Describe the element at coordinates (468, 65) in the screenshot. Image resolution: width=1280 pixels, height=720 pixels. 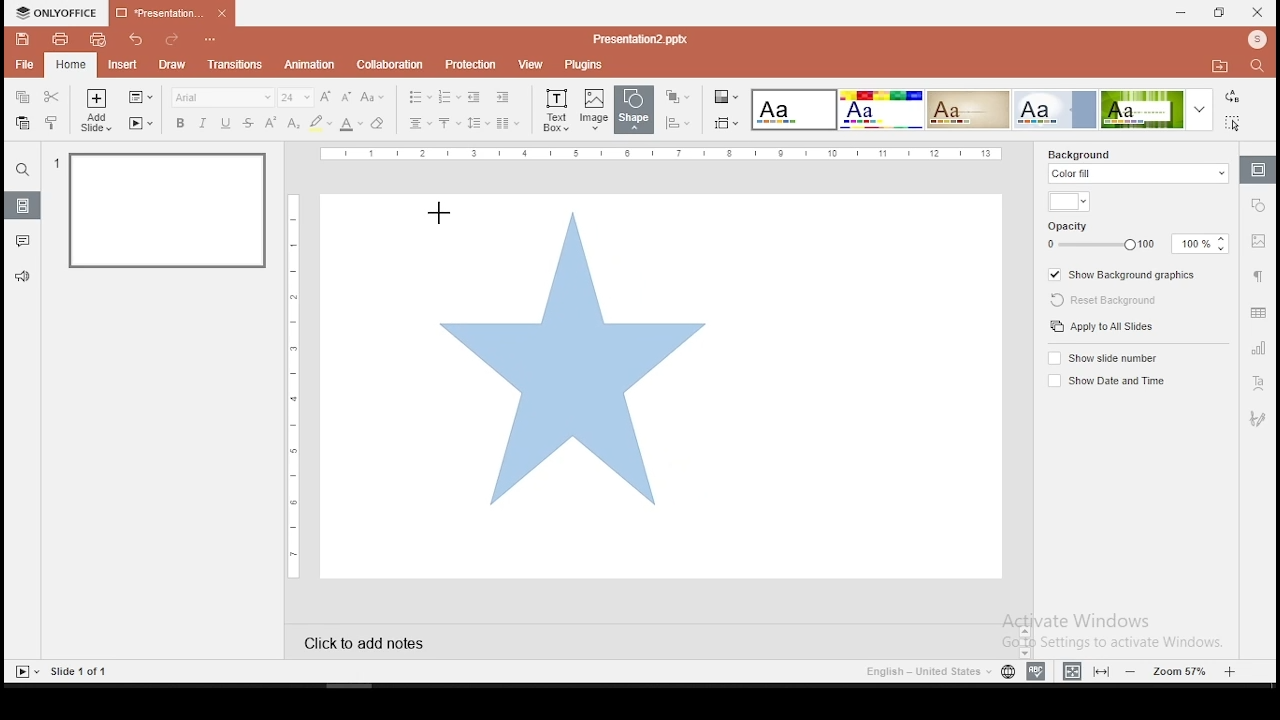
I see `protection` at that location.